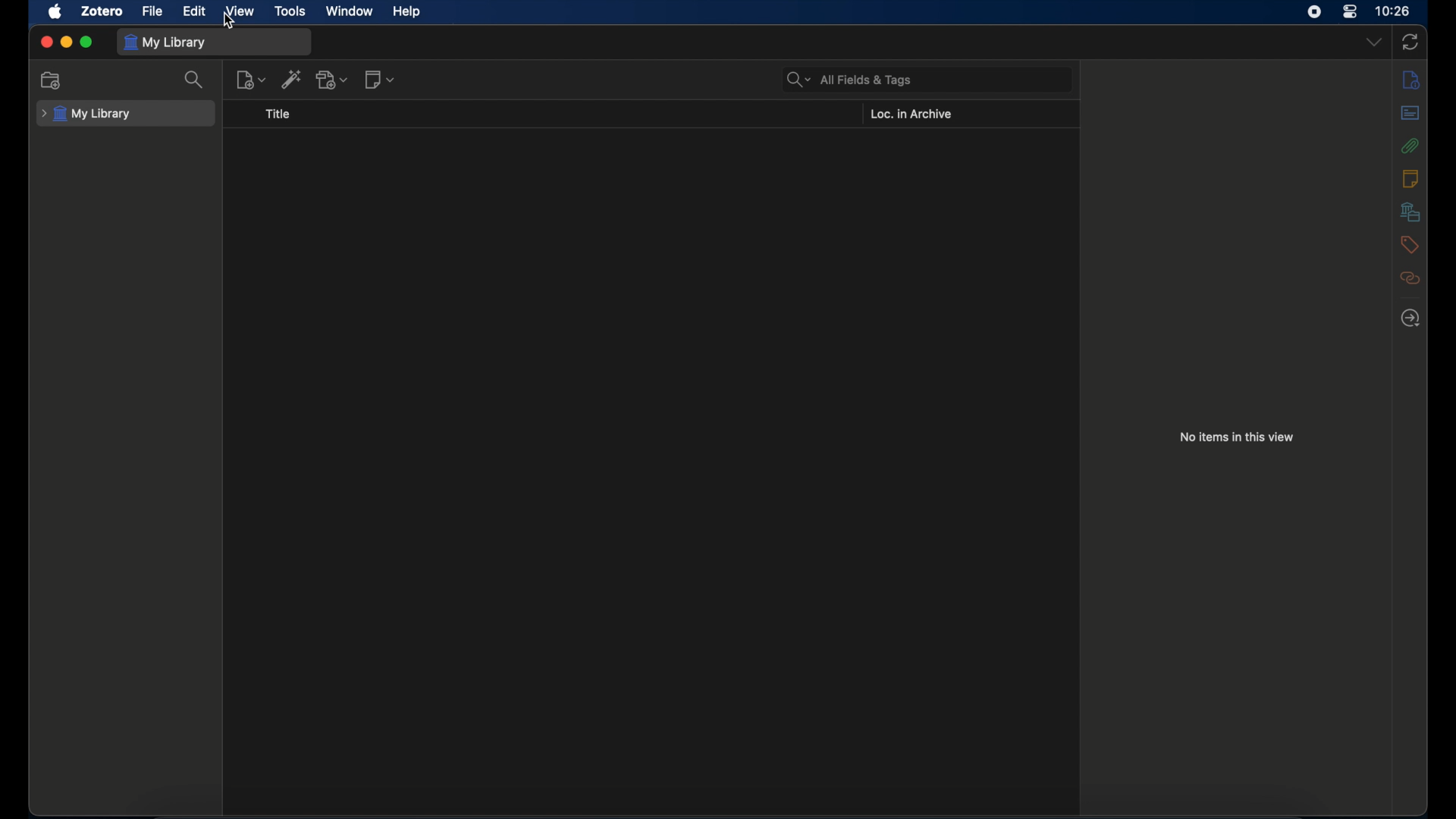 The width and height of the screenshot is (1456, 819). I want to click on tags, so click(1407, 245).